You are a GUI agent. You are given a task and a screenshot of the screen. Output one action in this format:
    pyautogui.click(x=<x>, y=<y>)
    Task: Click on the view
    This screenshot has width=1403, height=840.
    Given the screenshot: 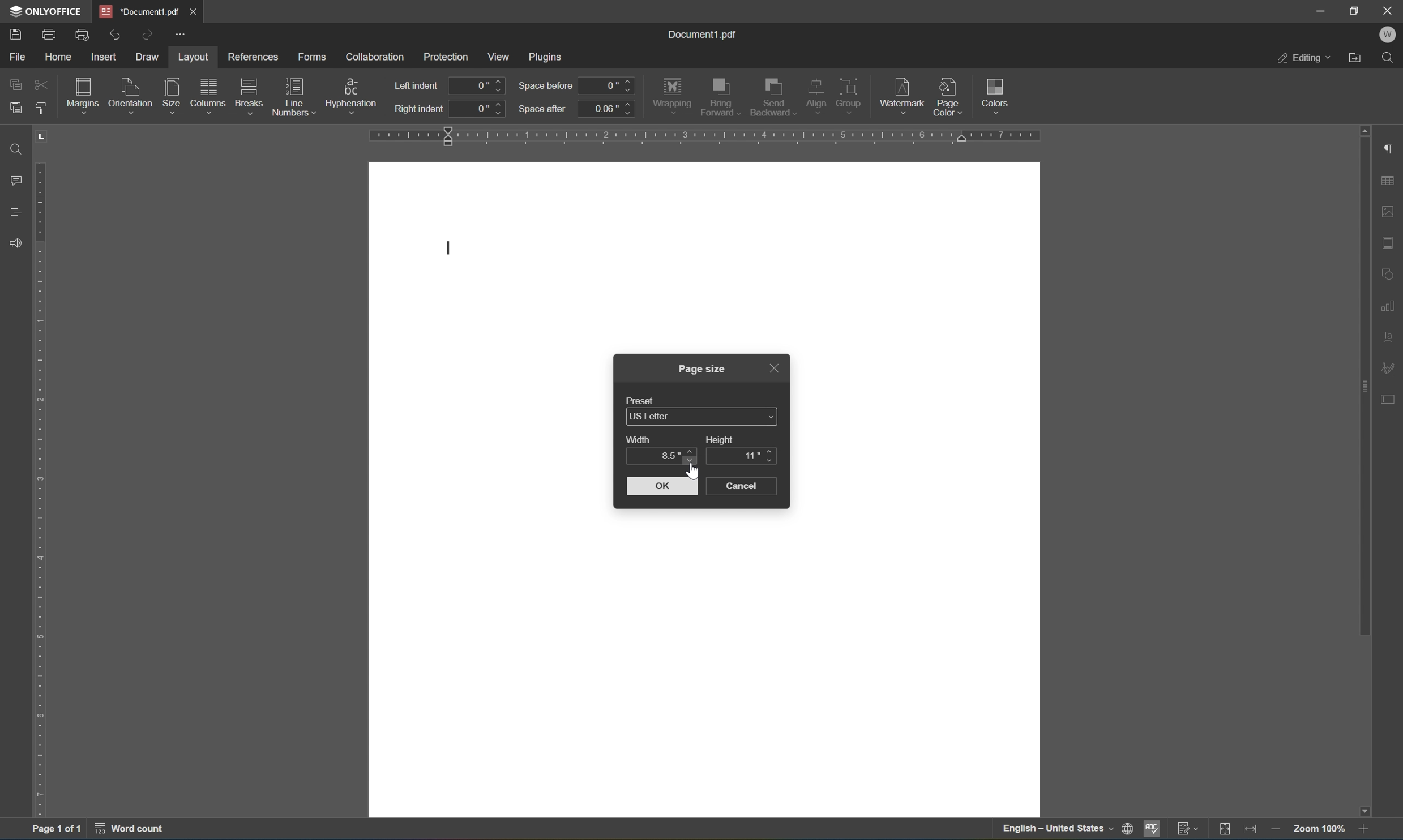 What is the action you would take?
    pyautogui.click(x=502, y=56)
    